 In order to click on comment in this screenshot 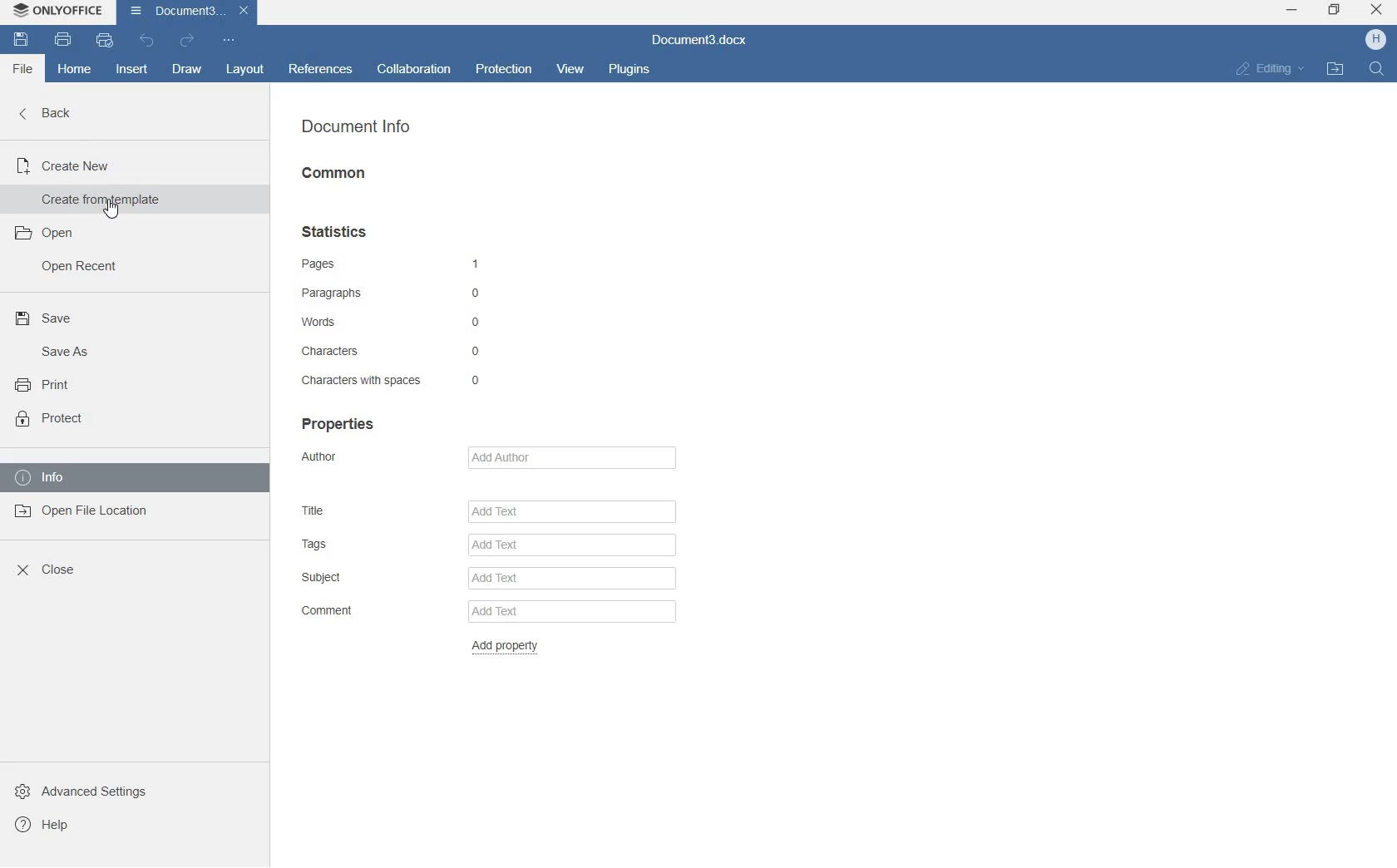, I will do `click(340, 611)`.